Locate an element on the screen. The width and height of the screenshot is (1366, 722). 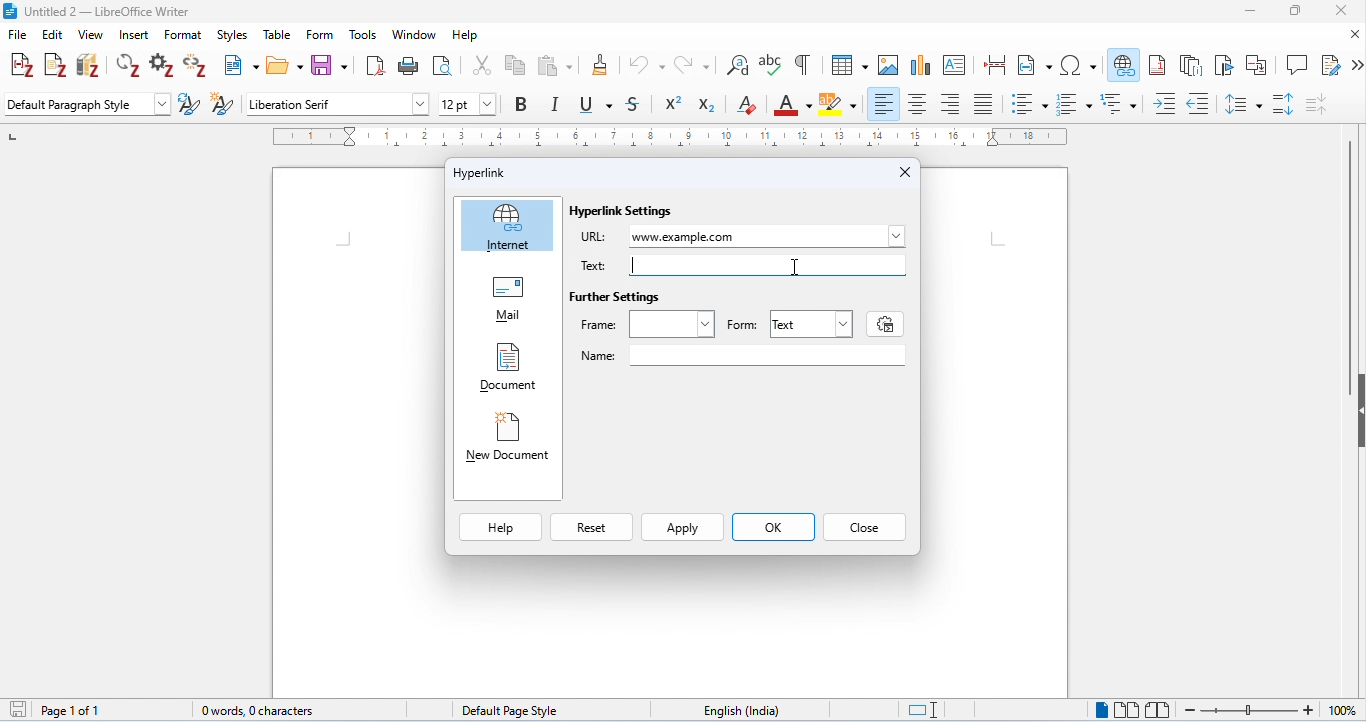
tools is located at coordinates (364, 34).